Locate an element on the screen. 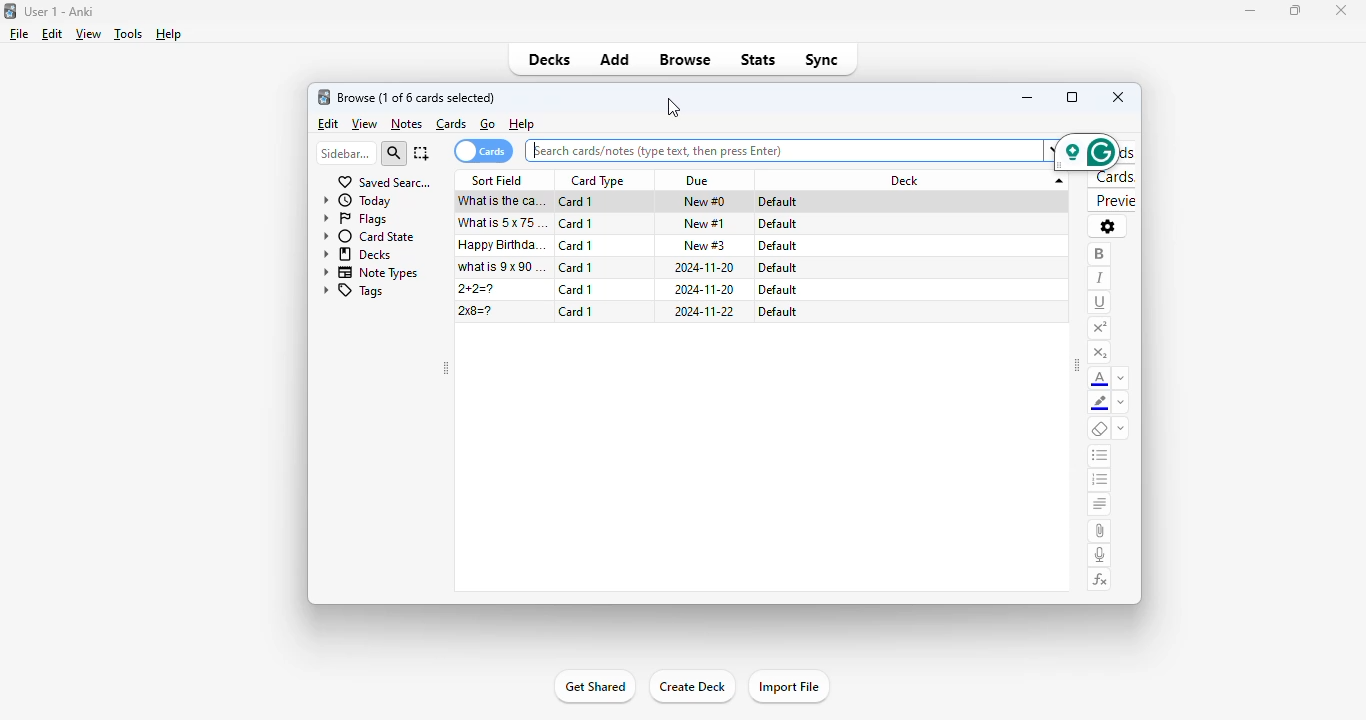 This screenshot has height=720, width=1366. note types is located at coordinates (369, 273).